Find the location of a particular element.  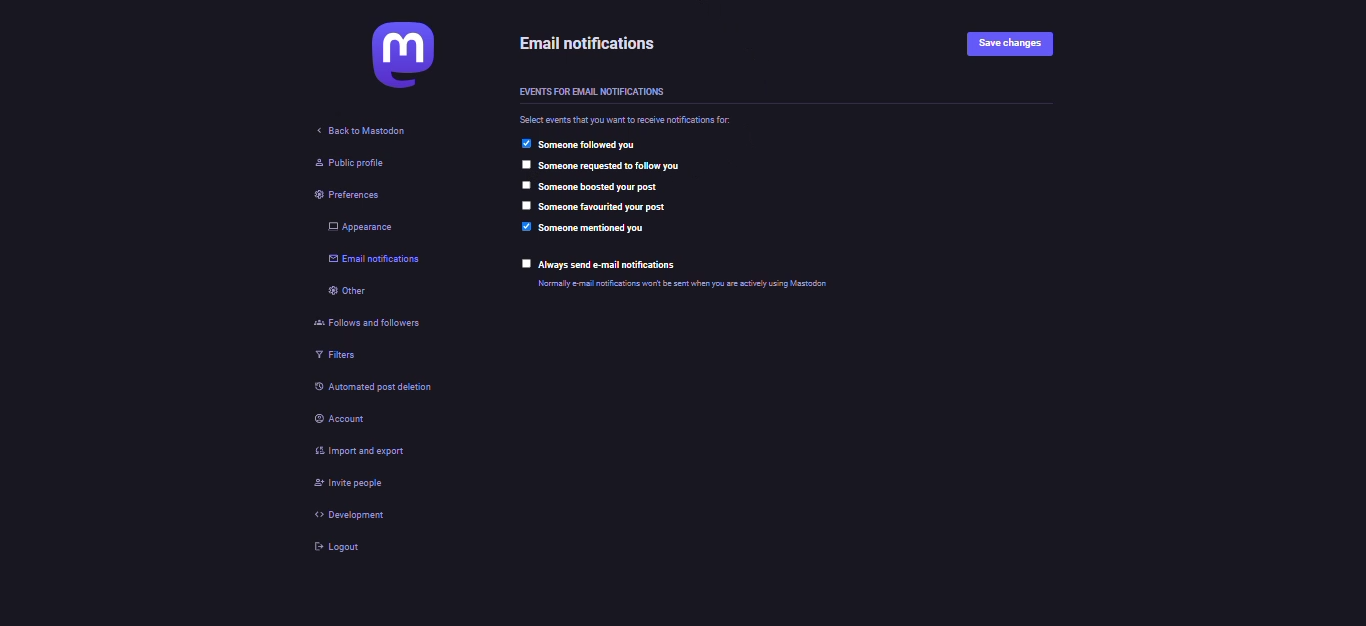

info is located at coordinates (687, 284).